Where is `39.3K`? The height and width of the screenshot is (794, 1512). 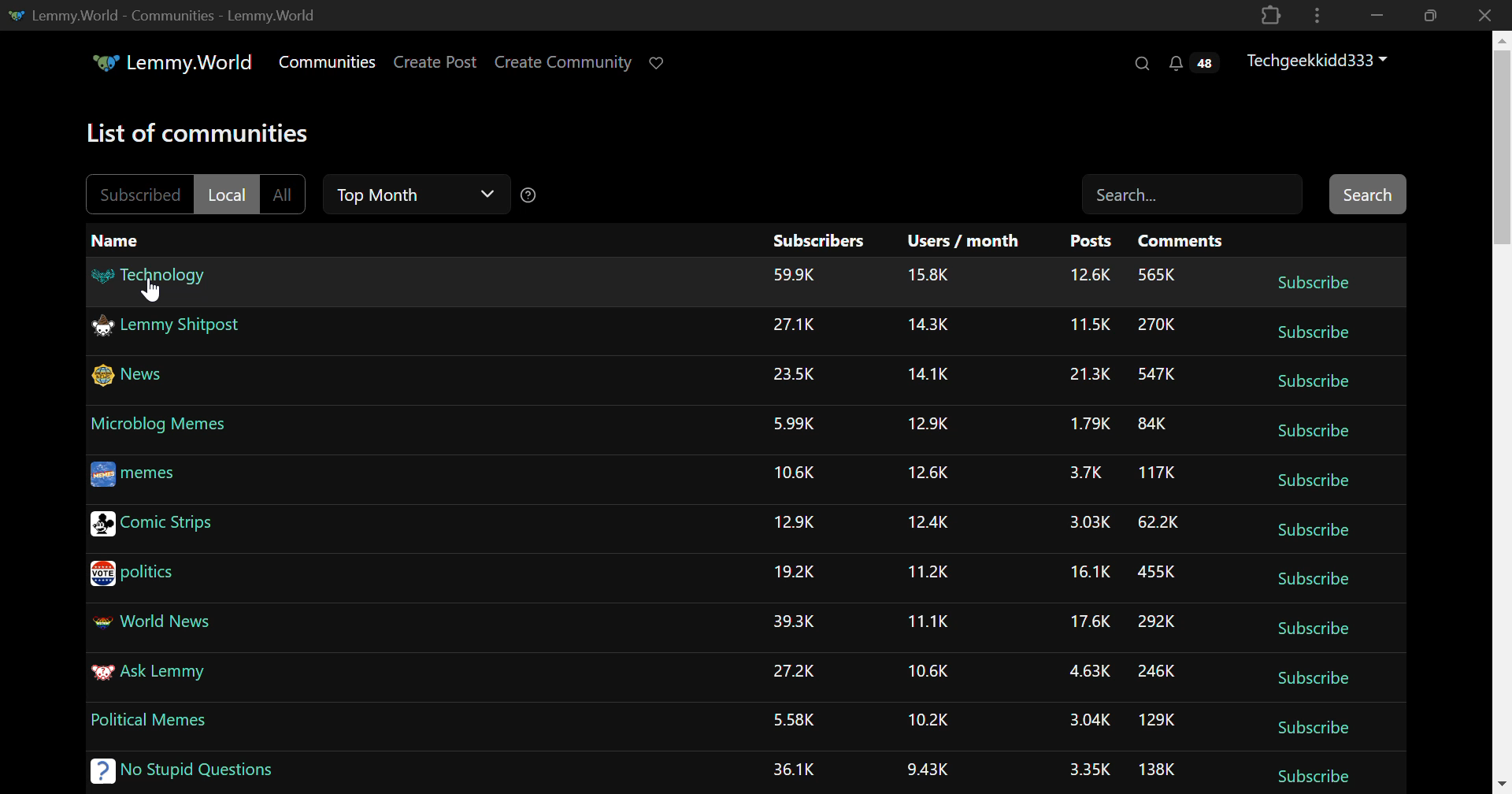
39.3K is located at coordinates (795, 623).